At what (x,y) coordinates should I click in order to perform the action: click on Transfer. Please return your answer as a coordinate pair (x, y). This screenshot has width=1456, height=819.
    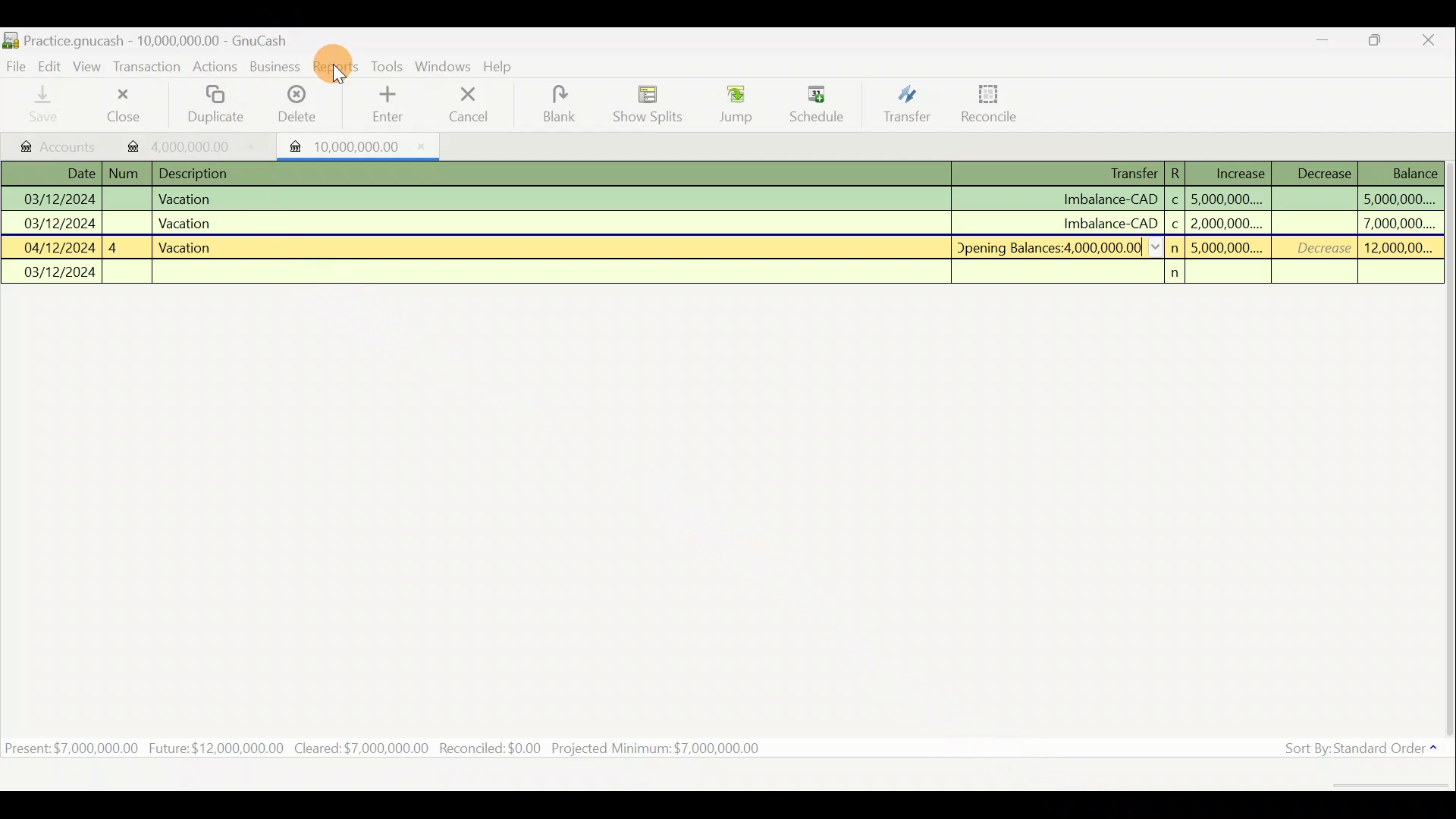
    Looking at the image, I should click on (904, 106).